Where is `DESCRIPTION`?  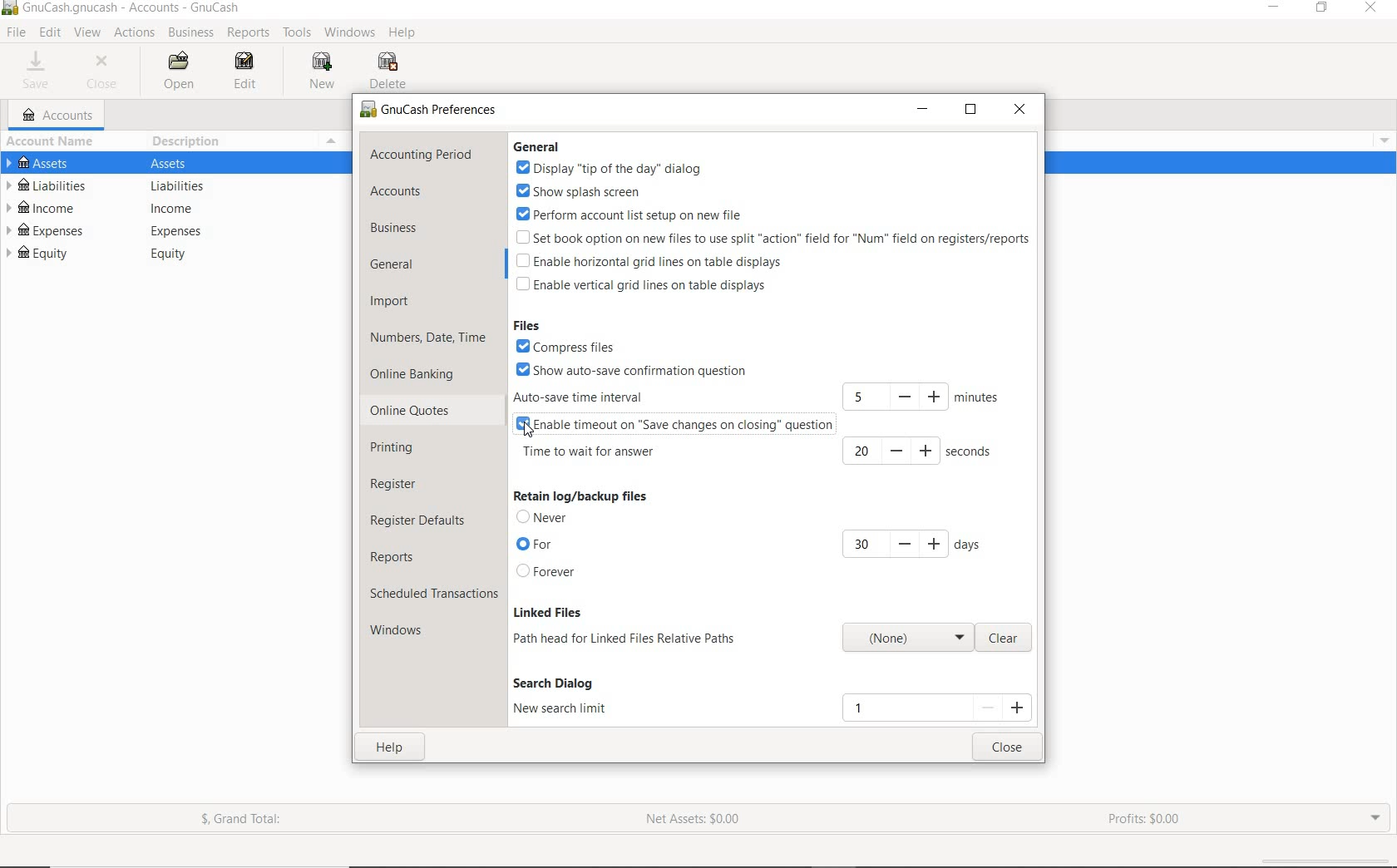 DESCRIPTION is located at coordinates (185, 144).